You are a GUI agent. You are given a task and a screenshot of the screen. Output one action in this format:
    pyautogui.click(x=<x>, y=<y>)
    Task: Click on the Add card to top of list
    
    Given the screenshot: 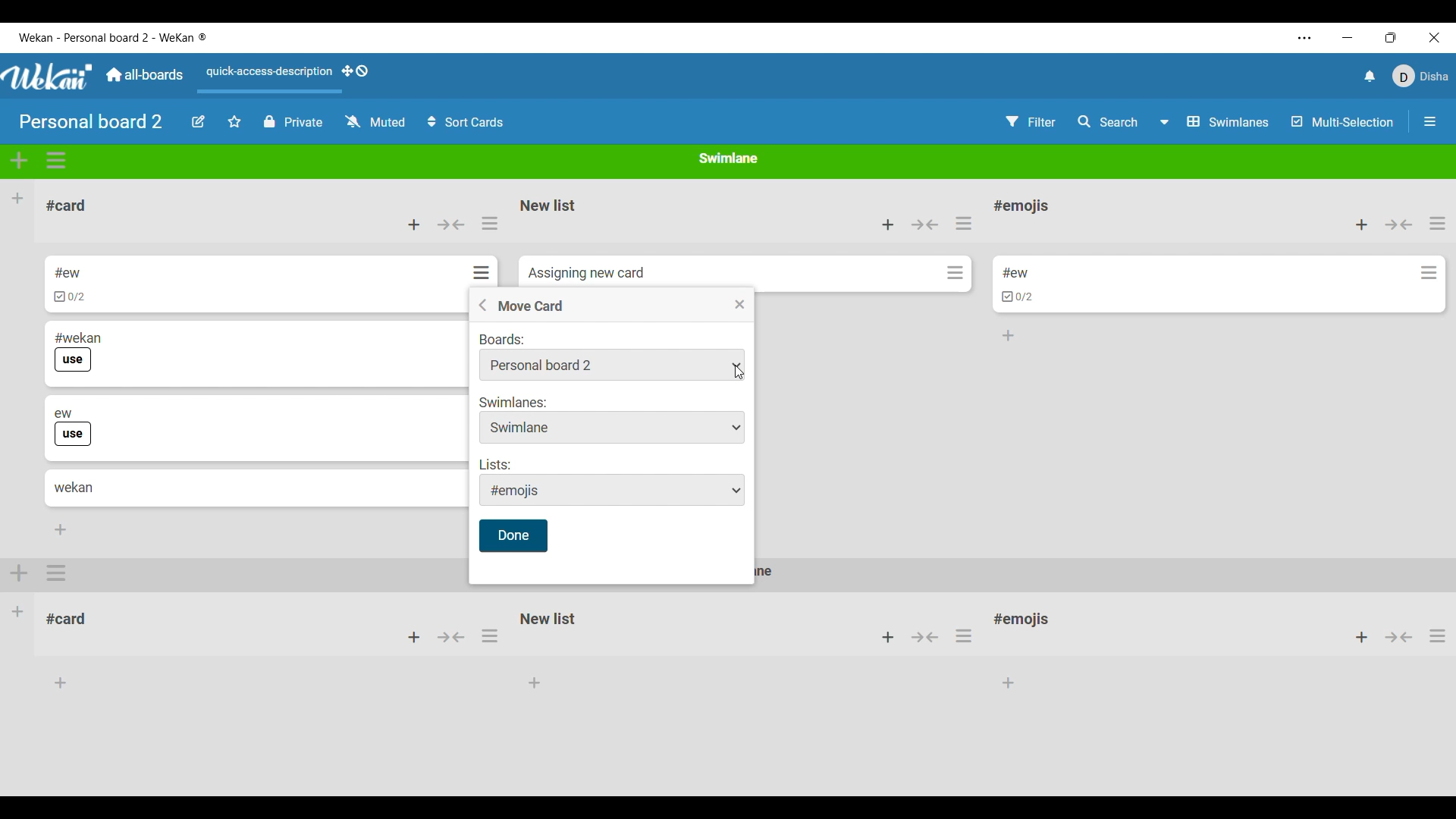 What is the action you would take?
    pyautogui.click(x=888, y=224)
    